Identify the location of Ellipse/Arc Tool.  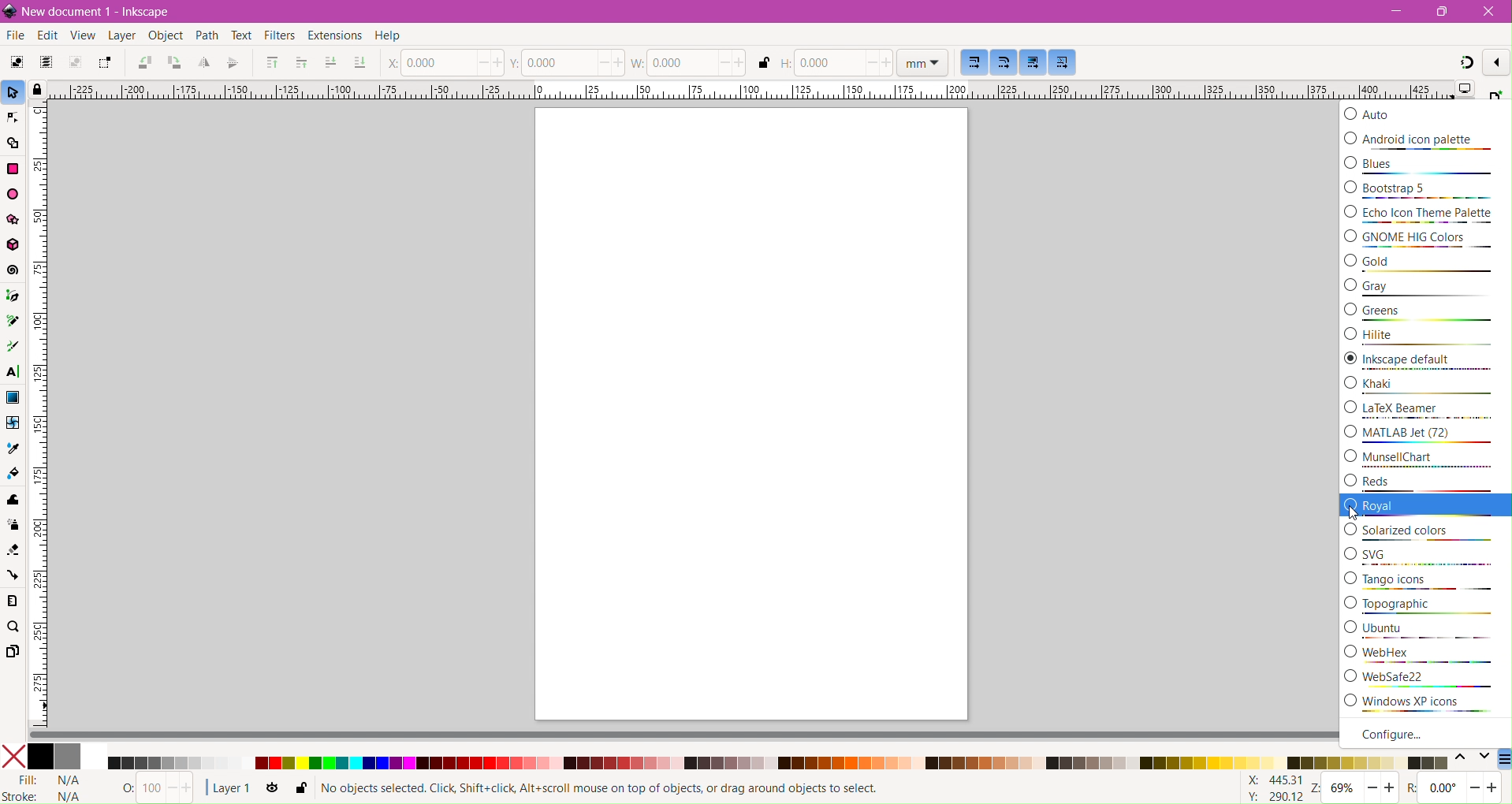
(14, 194).